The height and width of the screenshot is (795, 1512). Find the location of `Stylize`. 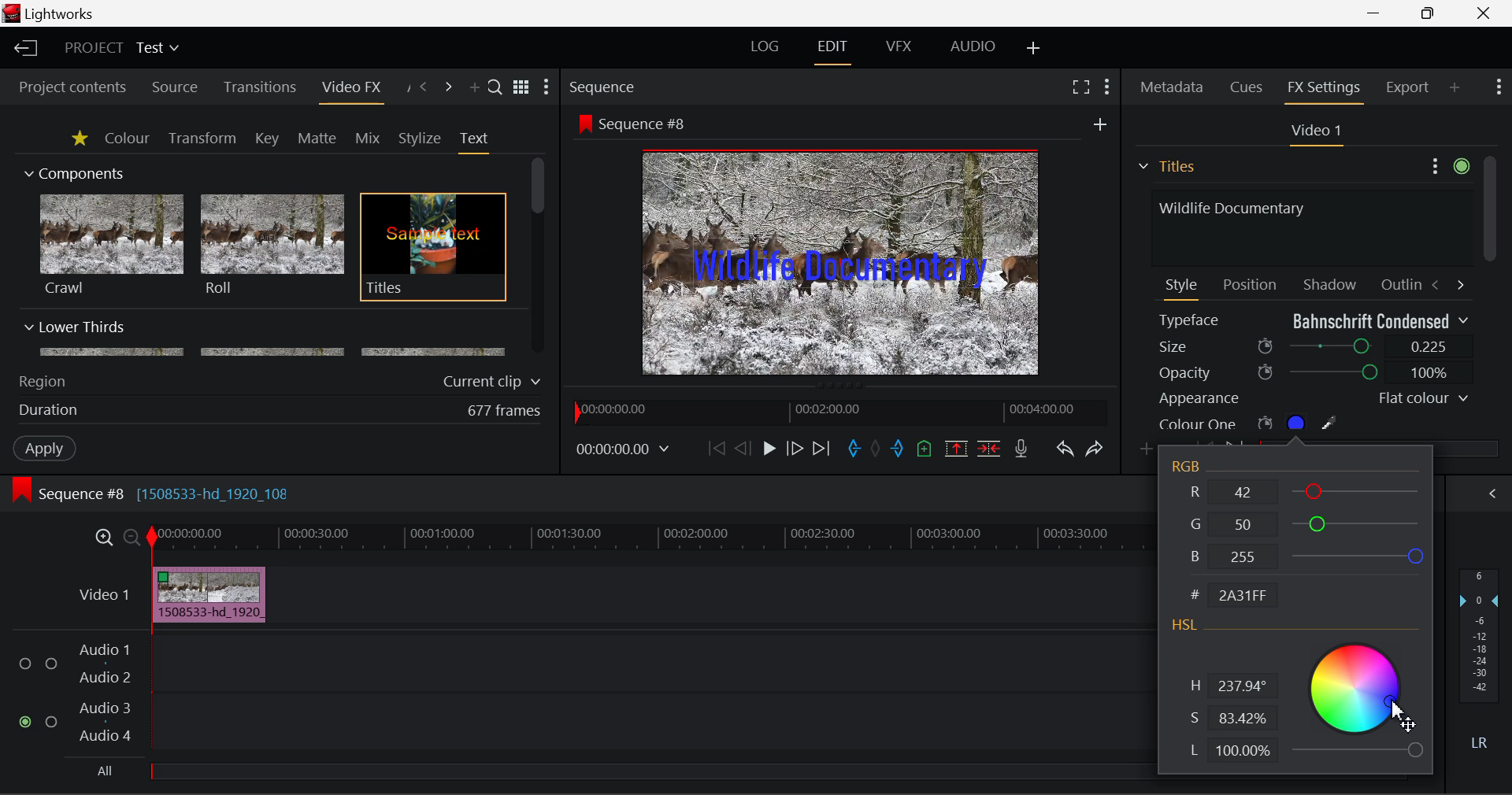

Stylize is located at coordinates (421, 139).